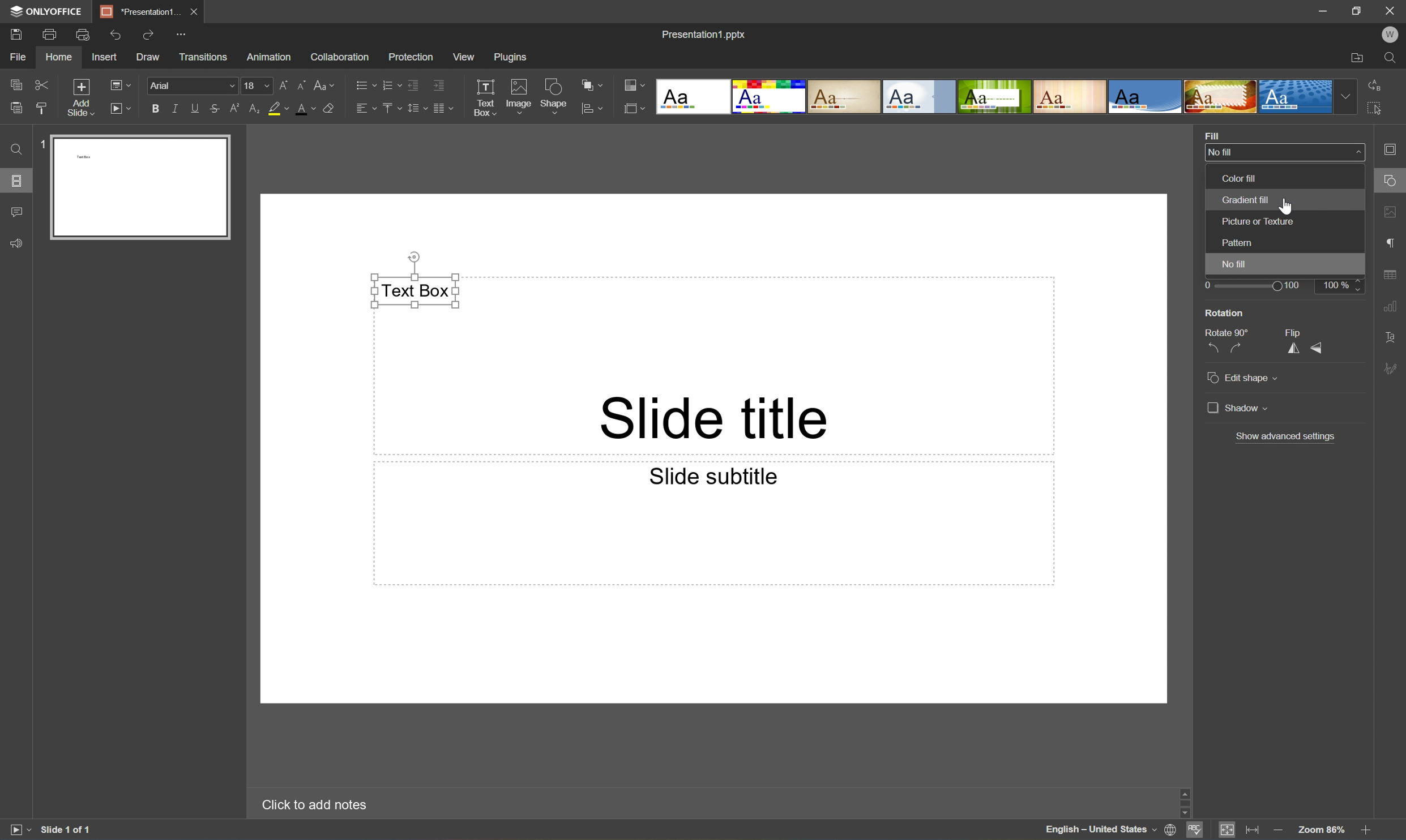  Describe the element at coordinates (1392, 181) in the screenshot. I see `Shape settings` at that location.